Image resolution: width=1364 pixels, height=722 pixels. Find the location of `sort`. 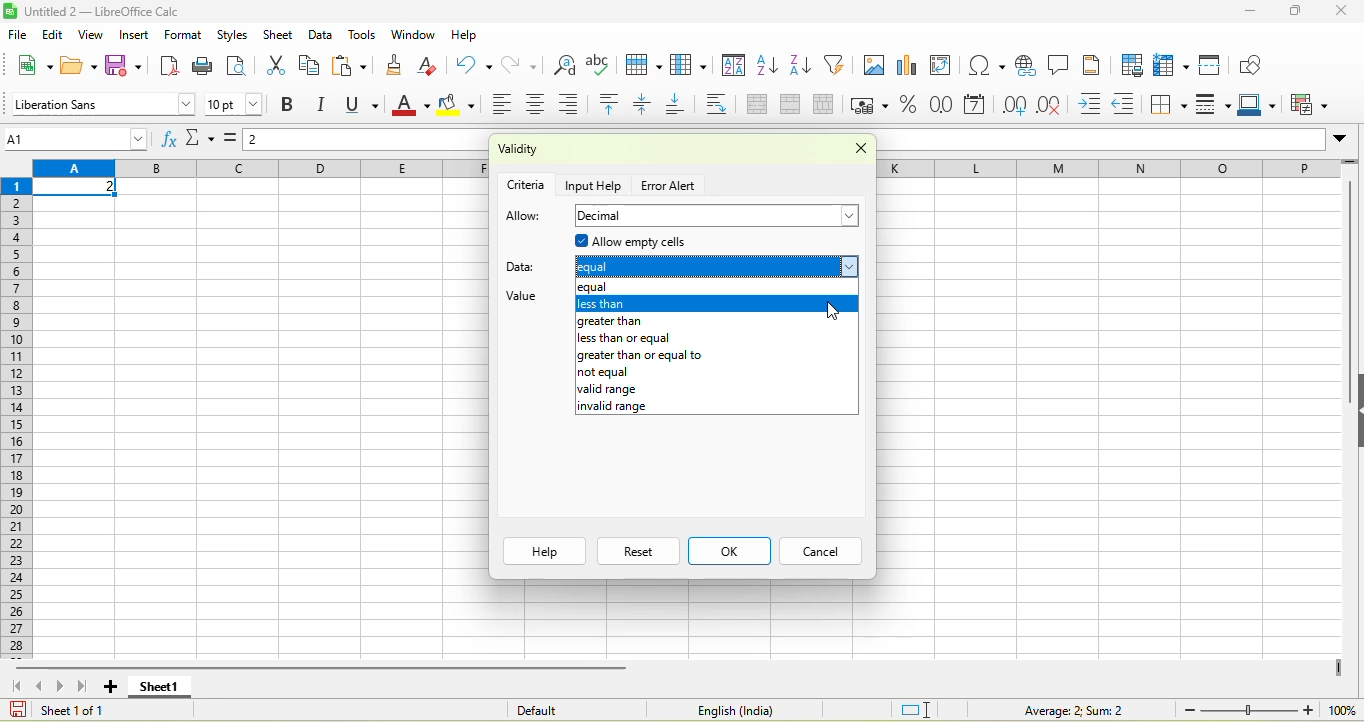

sort is located at coordinates (734, 68).